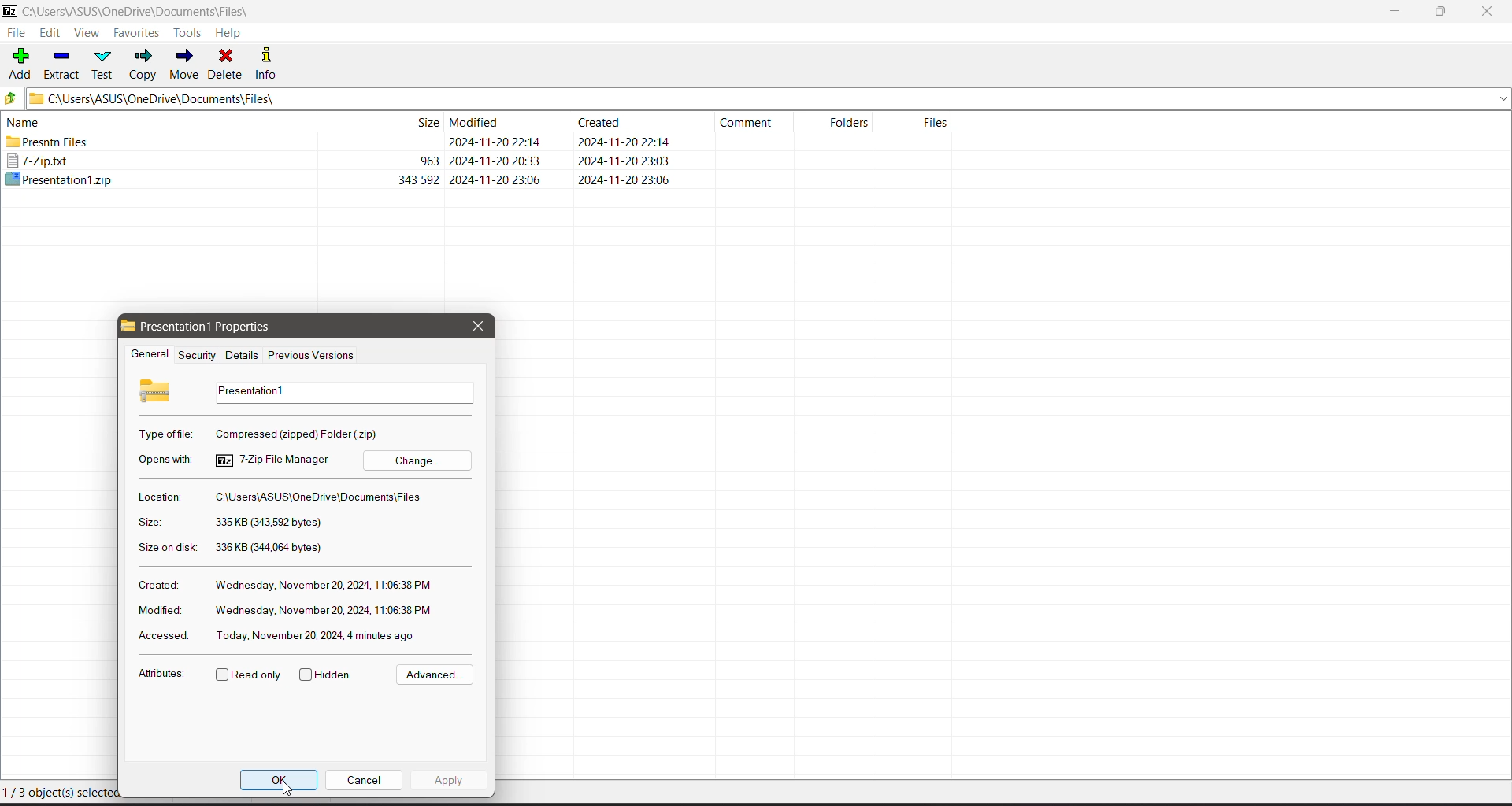  Describe the element at coordinates (16, 33) in the screenshot. I see `File` at that location.